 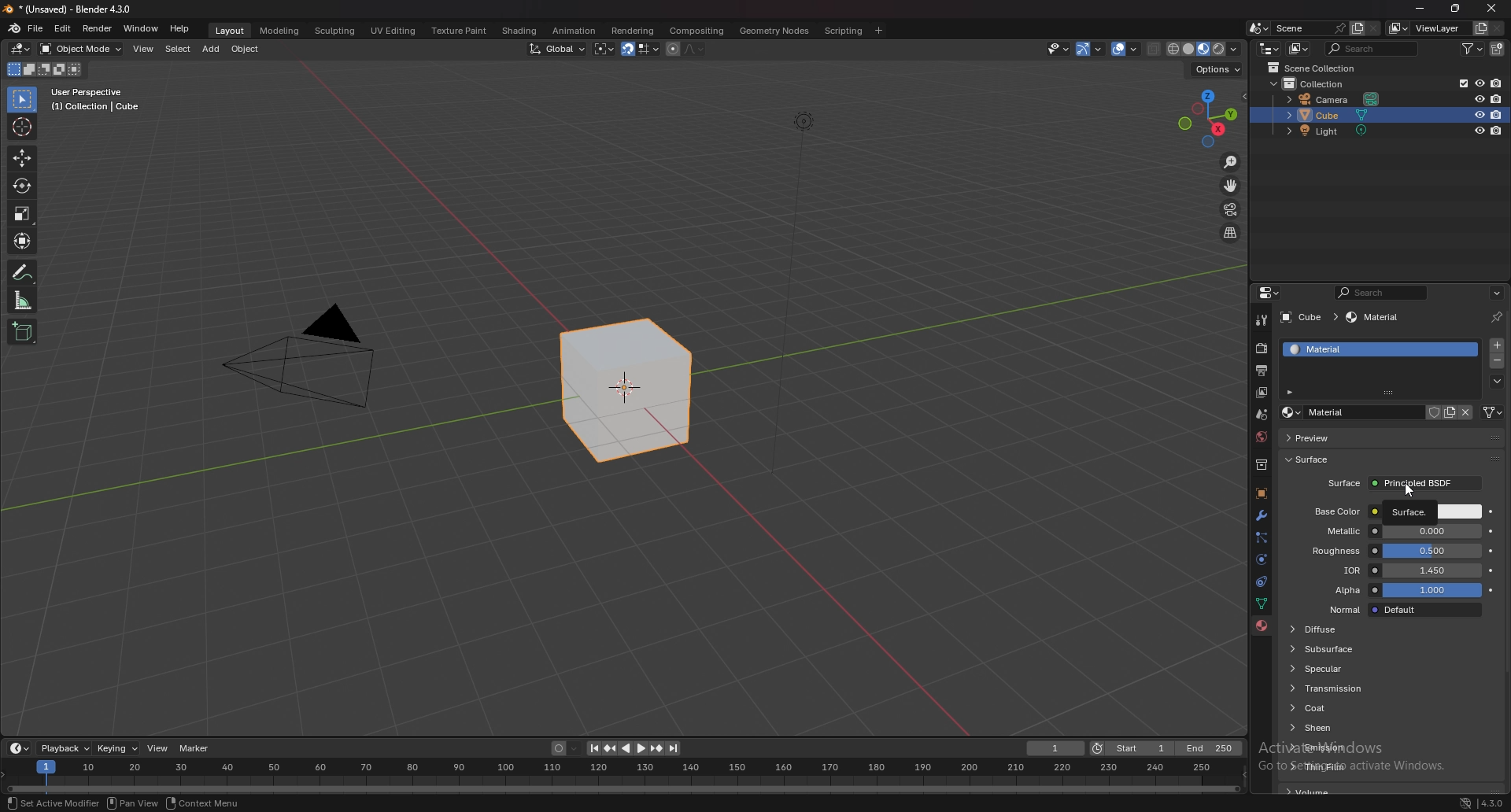 What do you see at coordinates (1336, 100) in the screenshot?
I see `camera` at bounding box center [1336, 100].